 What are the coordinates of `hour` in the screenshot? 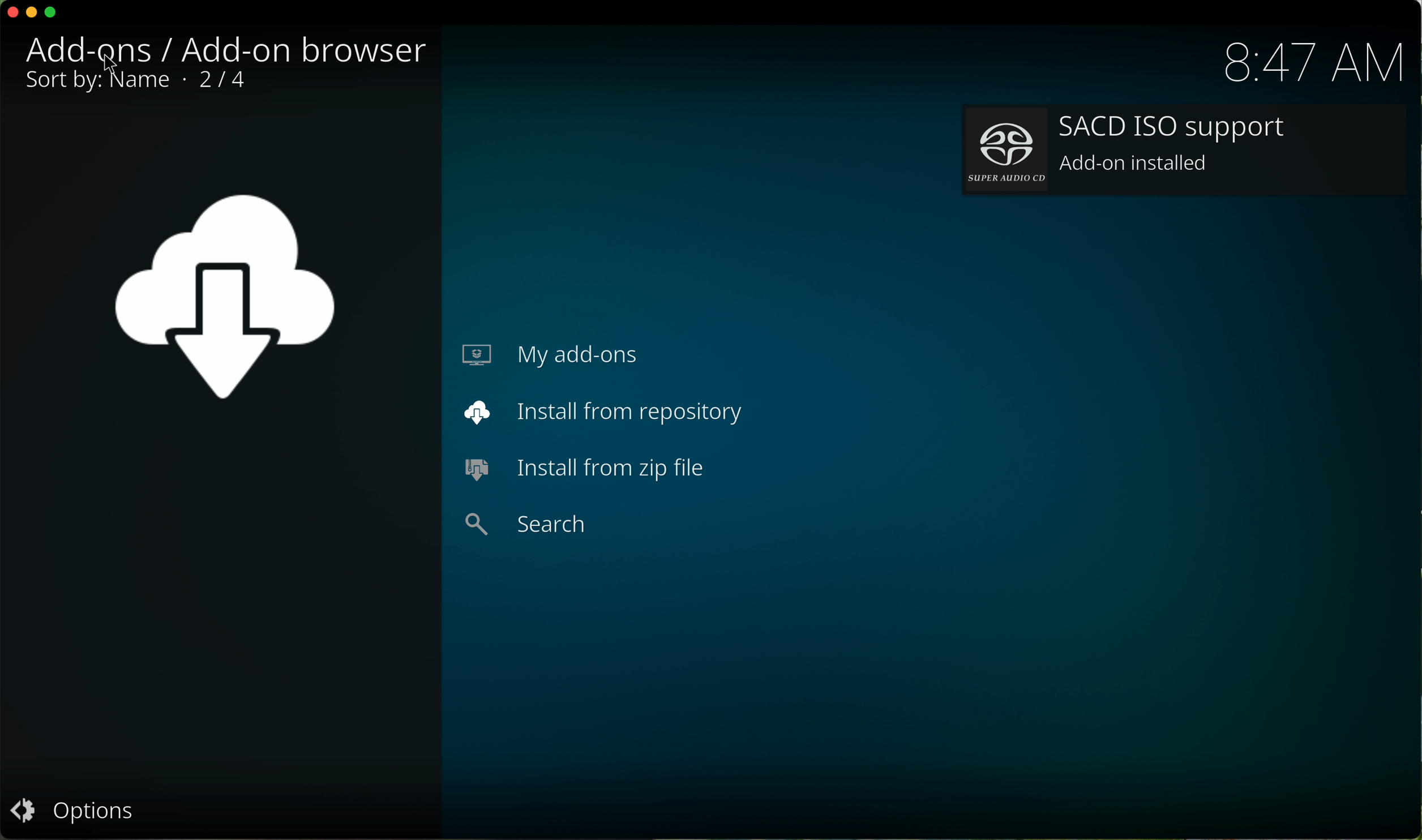 It's located at (1297, 55).